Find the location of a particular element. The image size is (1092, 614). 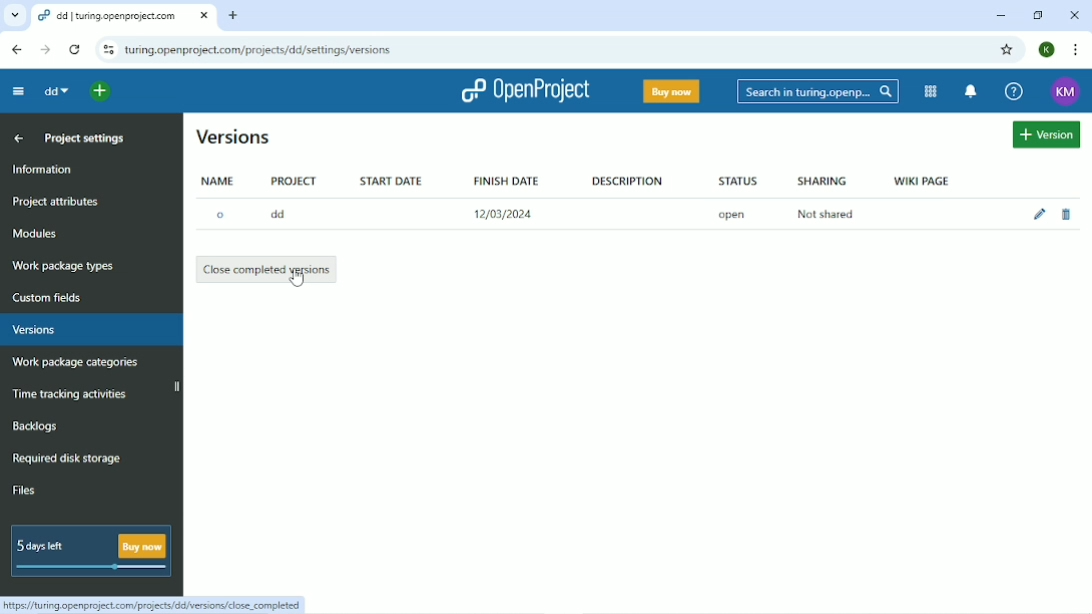

Project settings is located at coordinates (88, 140).